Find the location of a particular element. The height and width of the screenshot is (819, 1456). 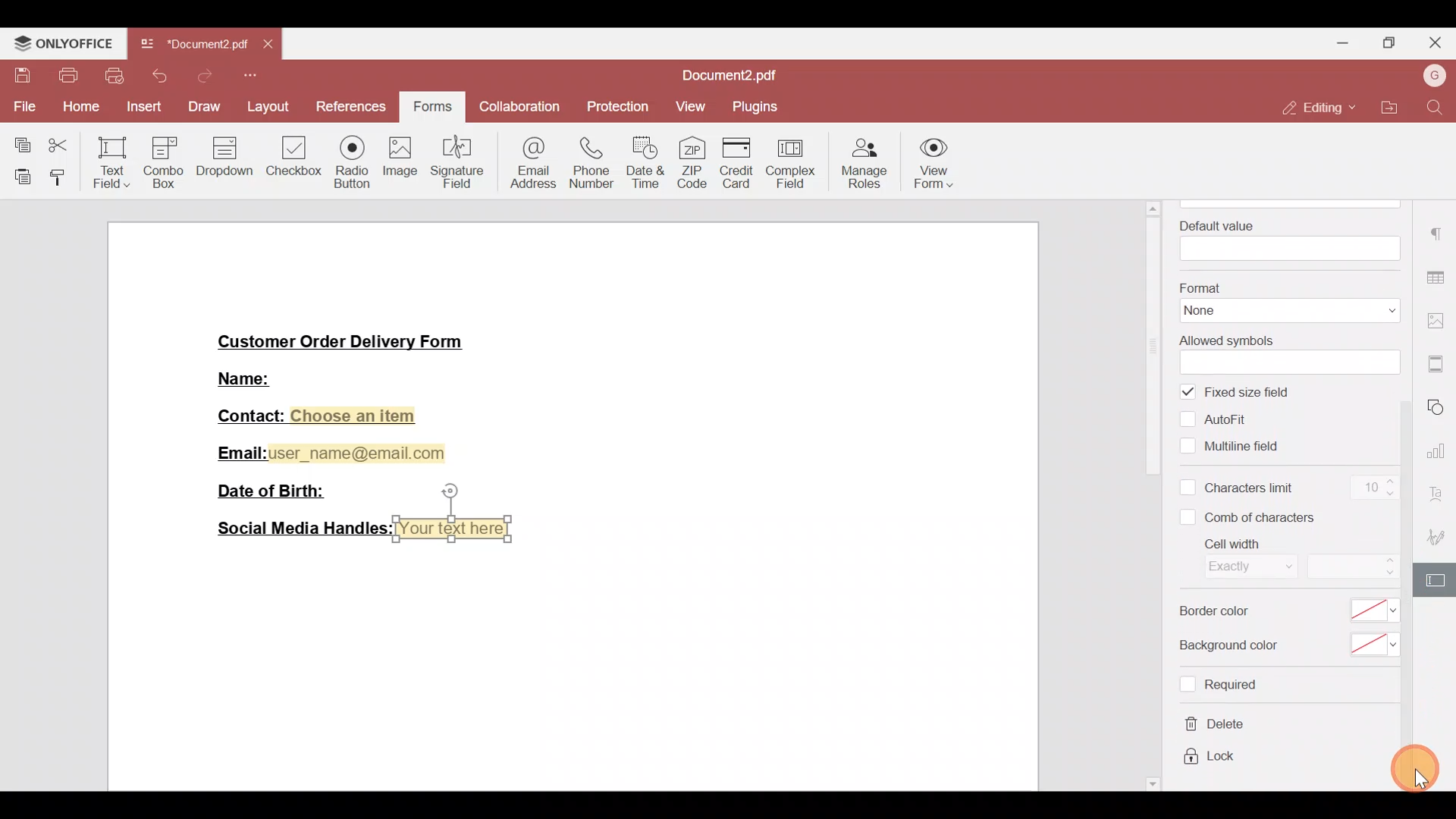

Autofill is located at coordinates (1221, 419).